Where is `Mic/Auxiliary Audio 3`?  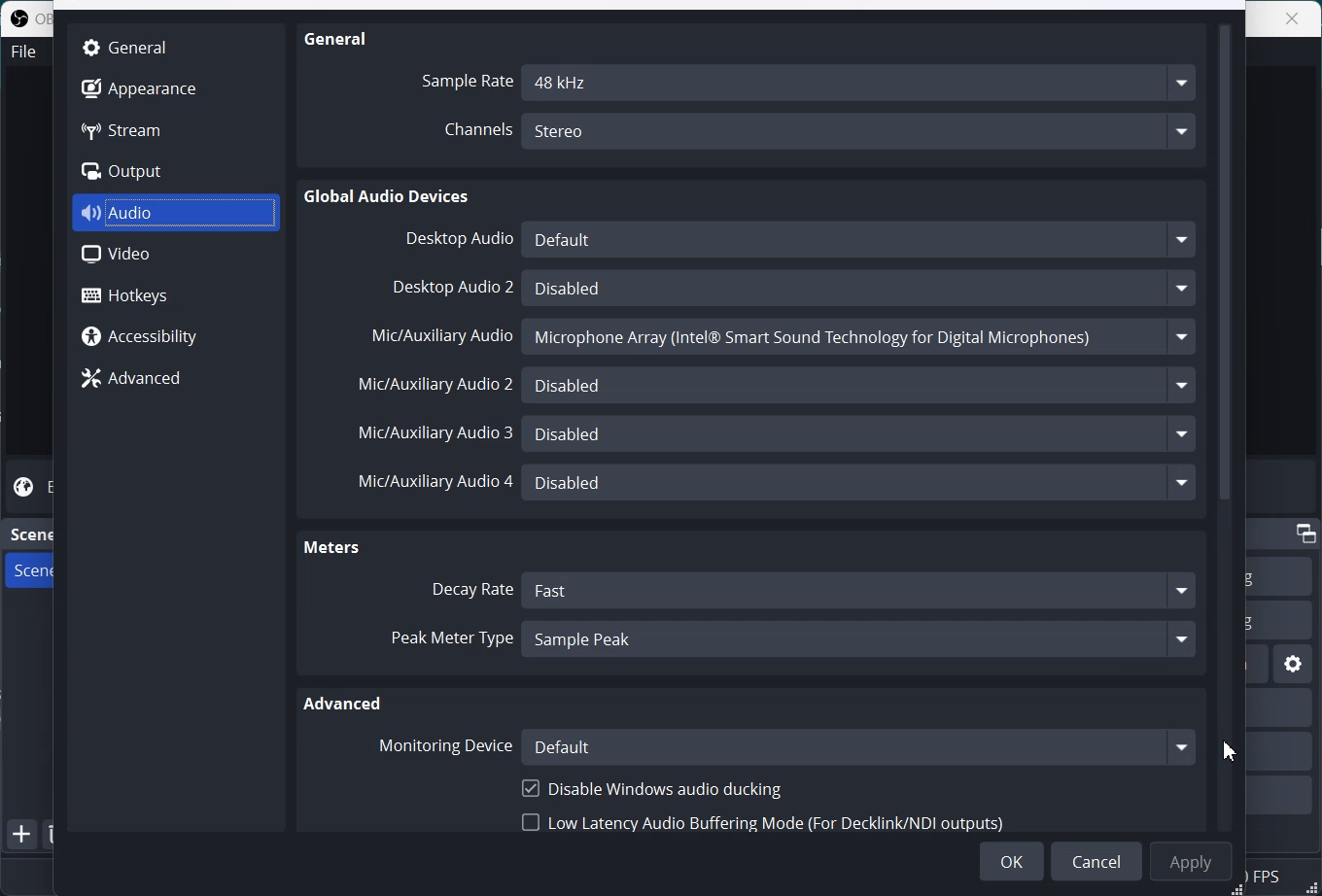 Mic/Auxiliary Audio 3 is located at coordinates (437, 430).